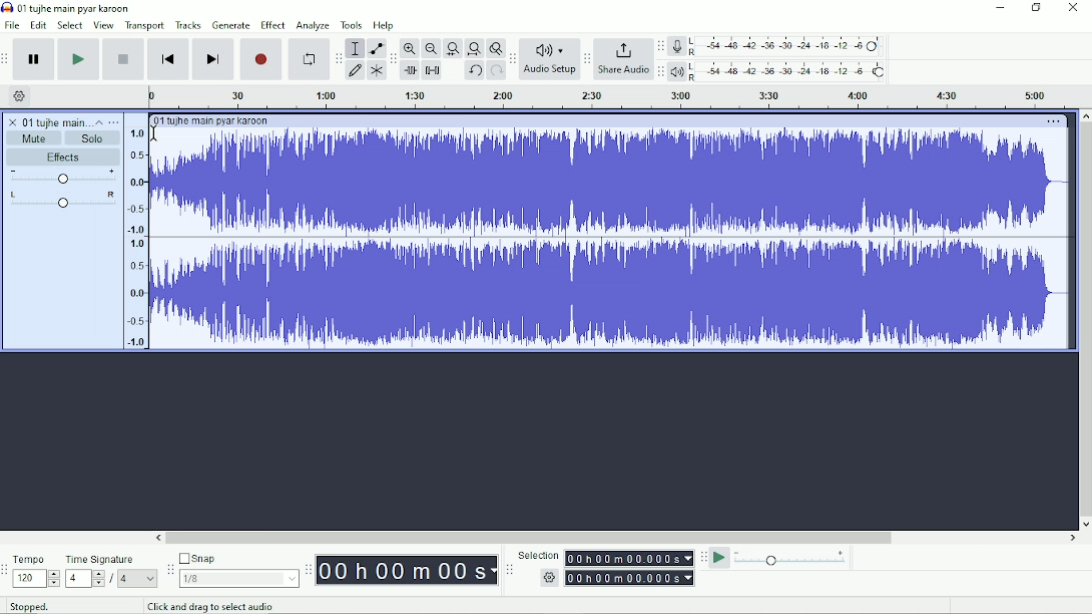 The width and height of the screenshot is (1092, 614). I want to click on Audacity tools toolbar, so click(338, 58).